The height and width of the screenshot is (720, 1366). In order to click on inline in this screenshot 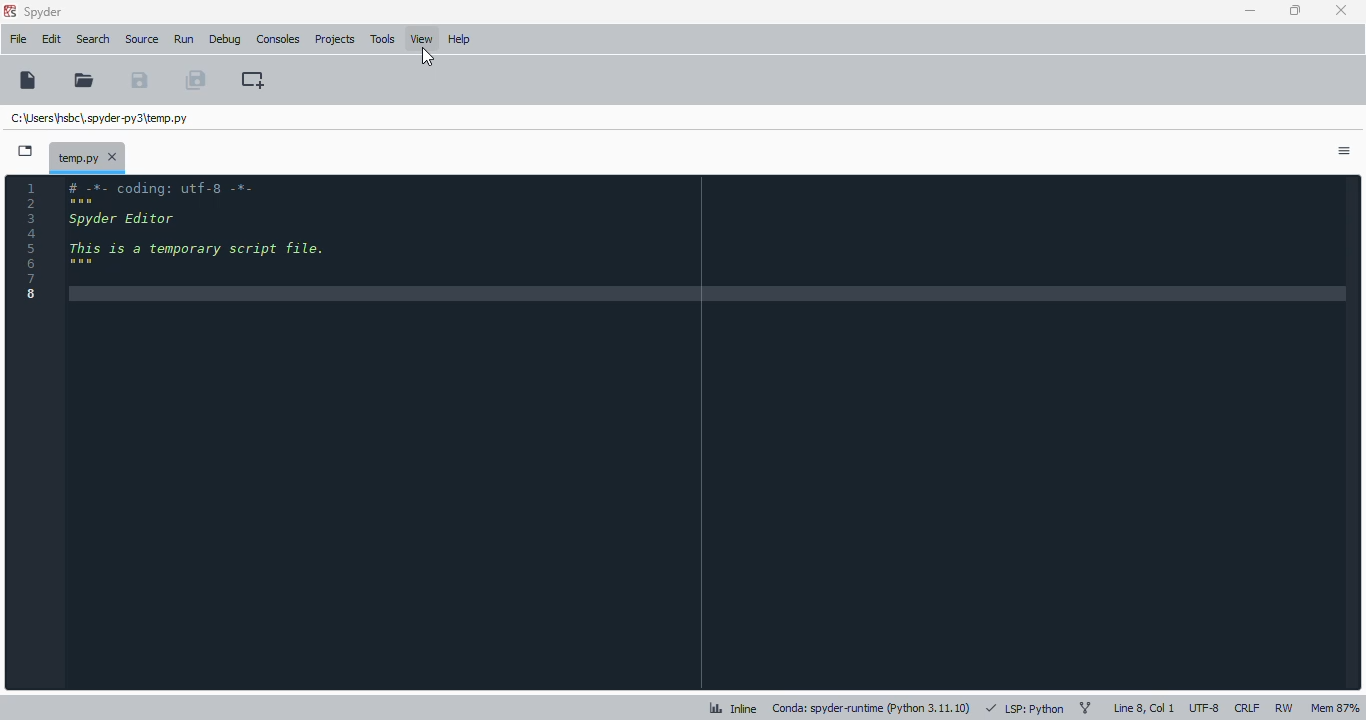, I will do `click(732, 708)`.